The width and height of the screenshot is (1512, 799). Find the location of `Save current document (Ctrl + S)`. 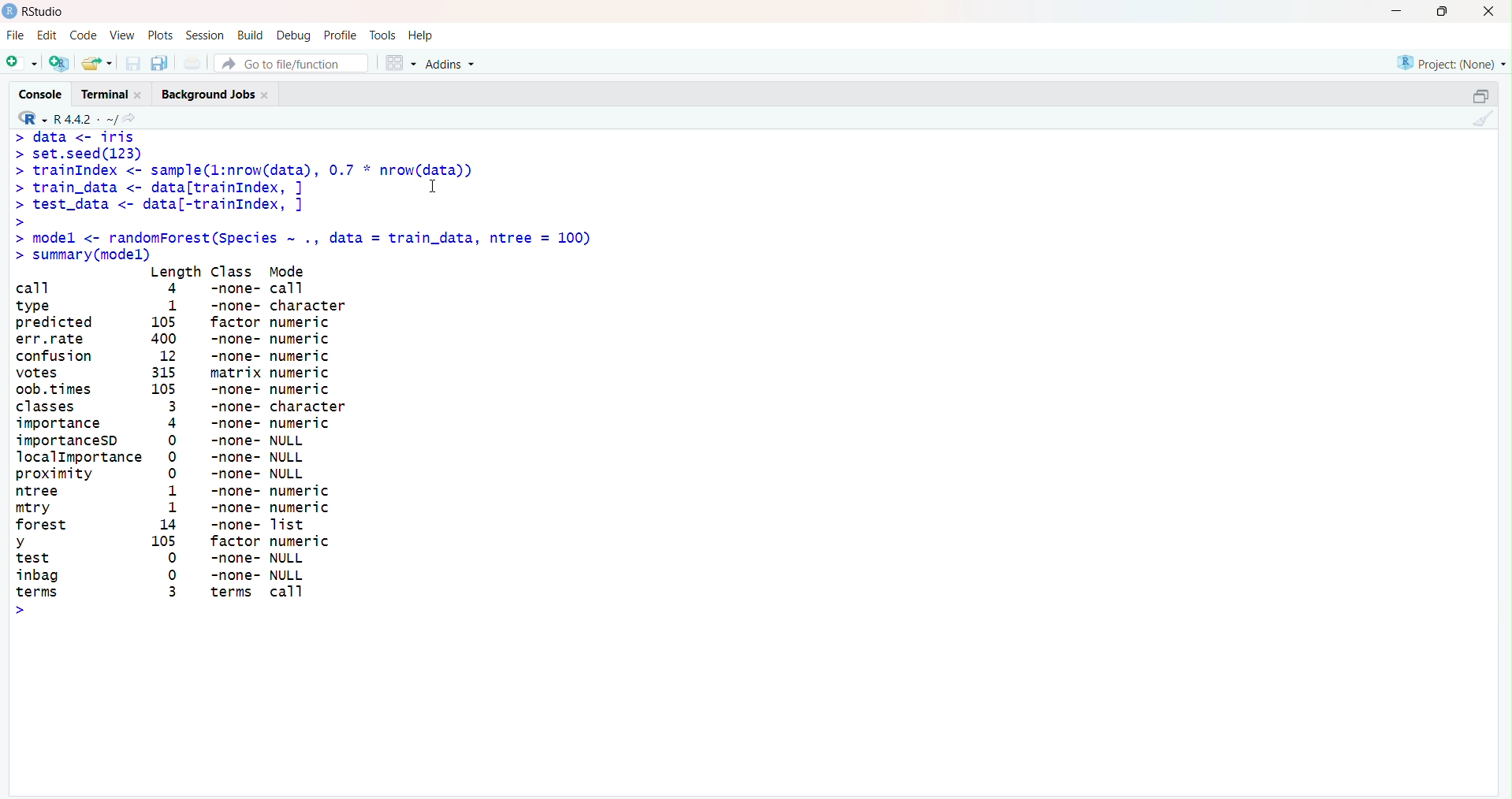

Save current document (Ctrl + S) is located at coordinates (132, 64).